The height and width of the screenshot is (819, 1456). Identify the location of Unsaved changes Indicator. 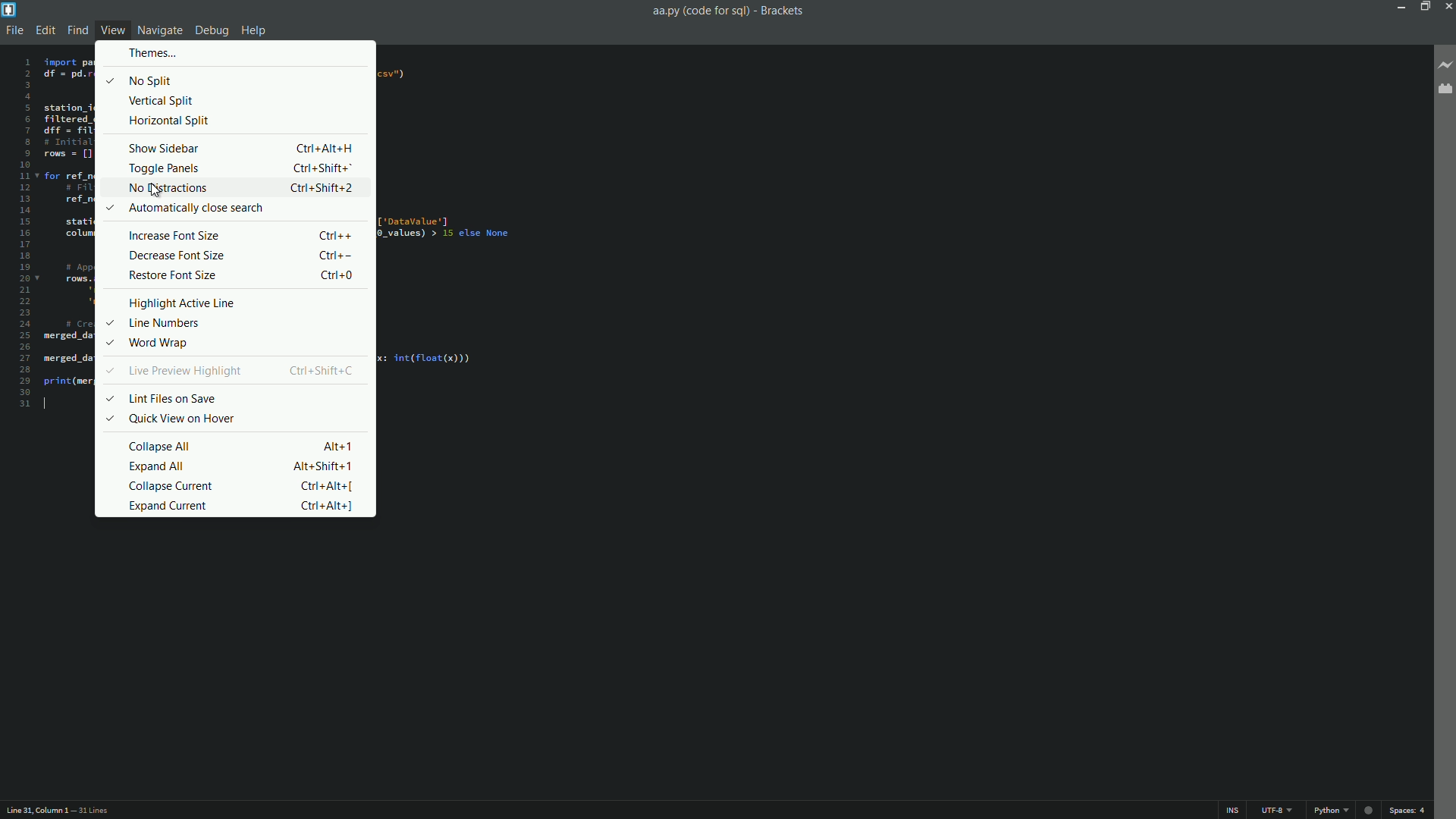
(1369, 807).